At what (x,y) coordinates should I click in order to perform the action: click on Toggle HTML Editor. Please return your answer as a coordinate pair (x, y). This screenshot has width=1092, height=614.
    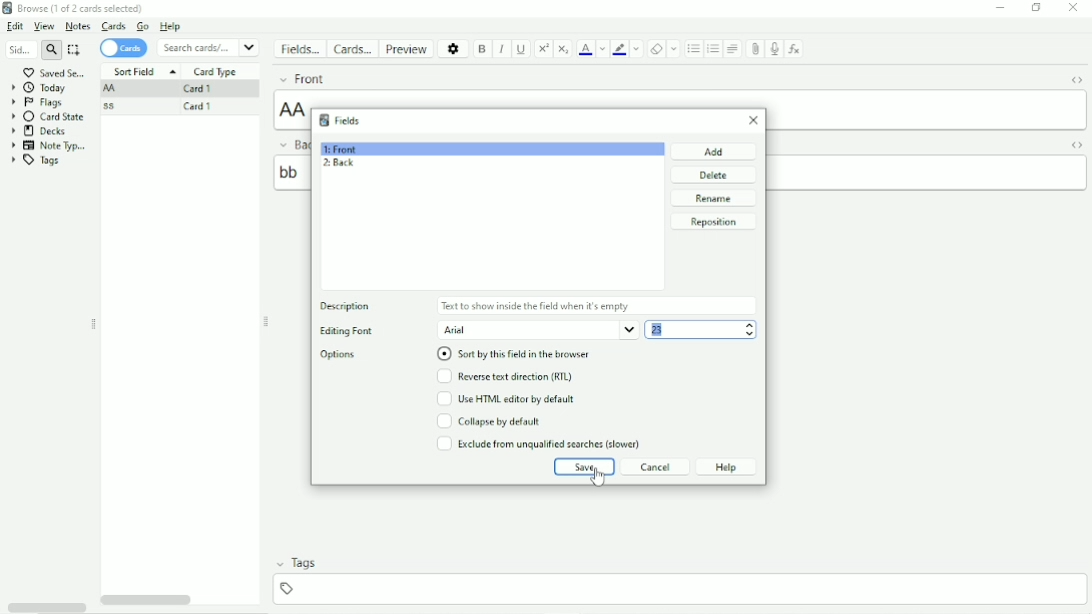
    Looking at the image, I should click on (1076, 145).